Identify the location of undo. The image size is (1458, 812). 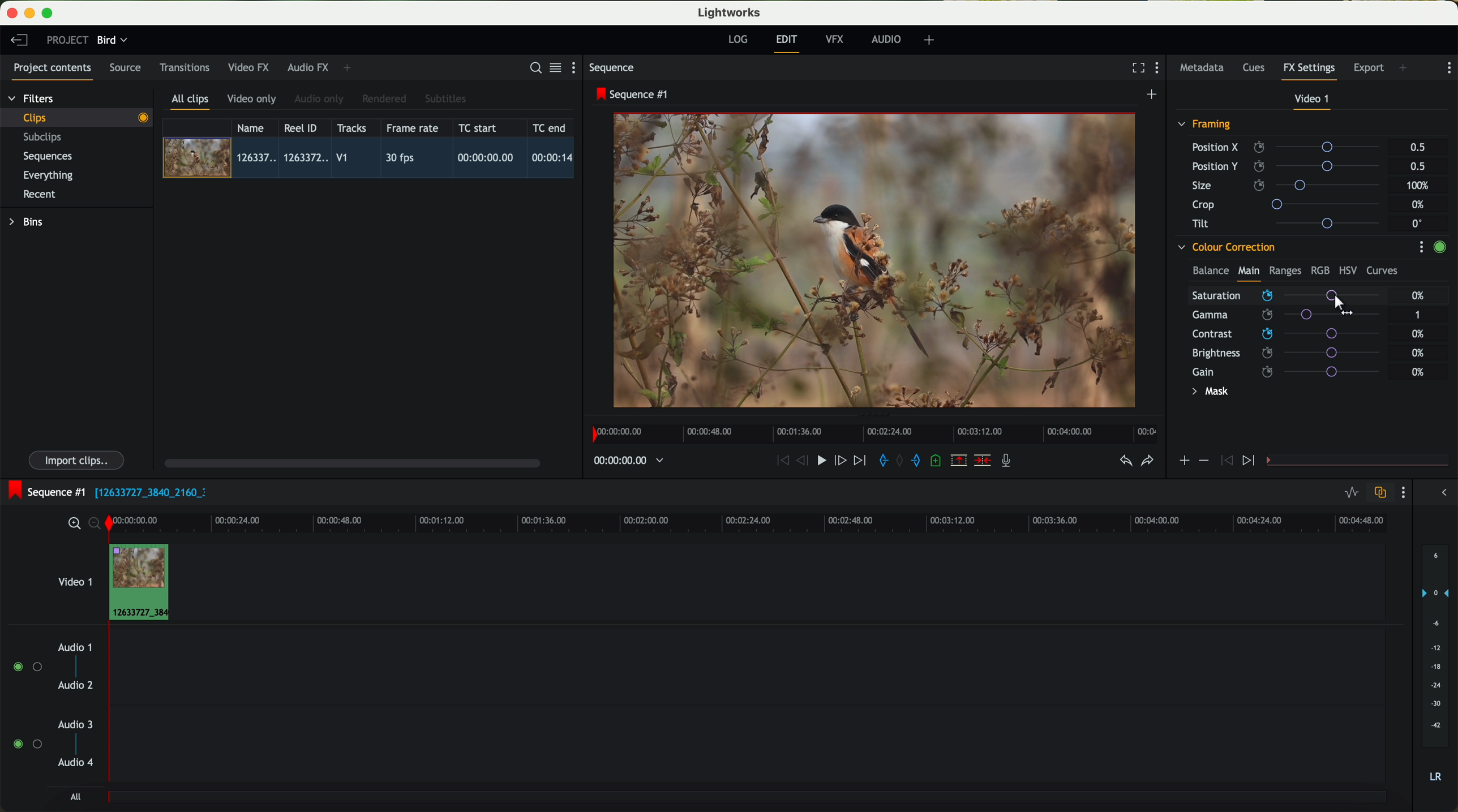
(1125, 461).